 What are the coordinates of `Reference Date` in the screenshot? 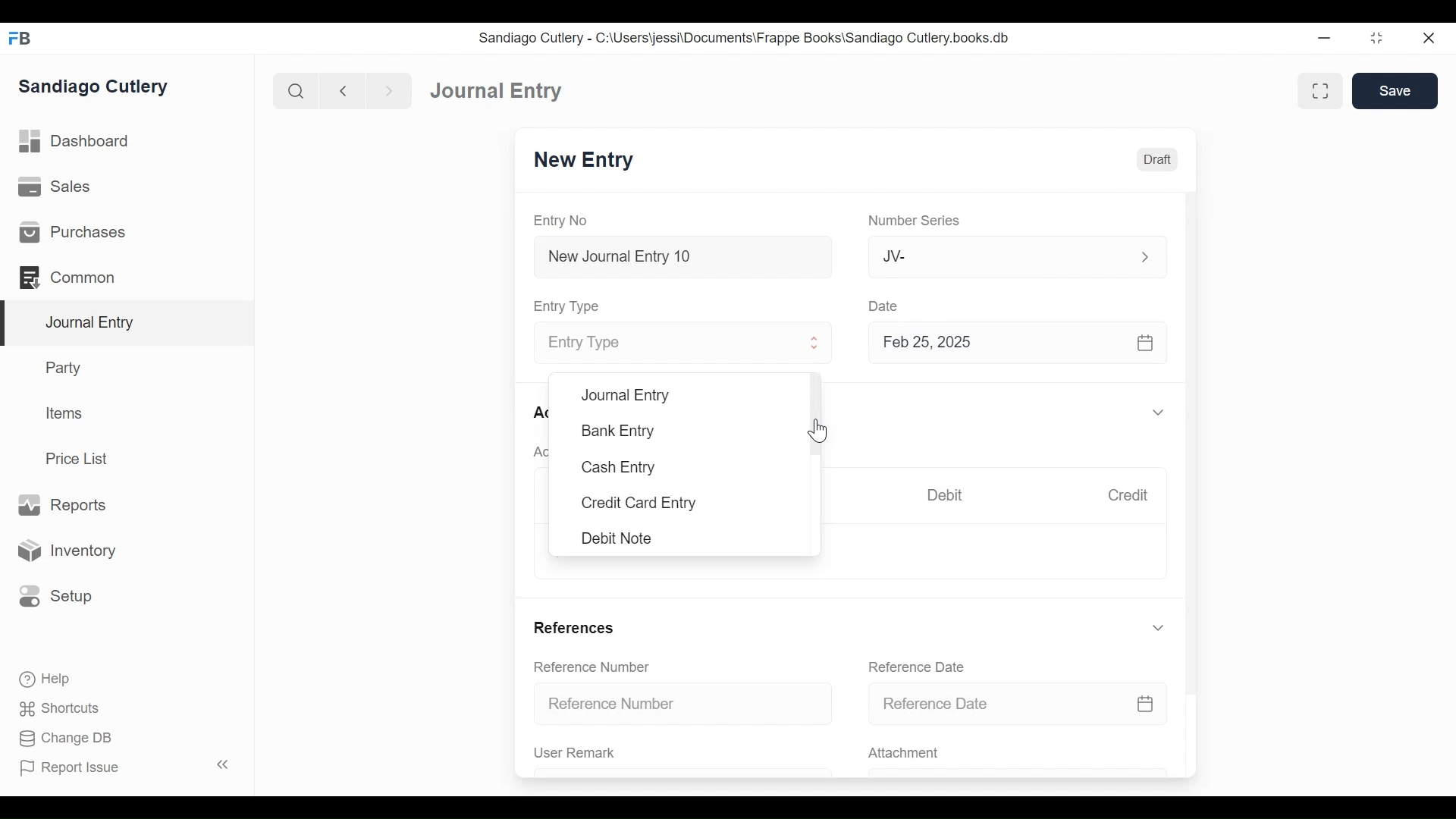 It's located at (1018, 704).